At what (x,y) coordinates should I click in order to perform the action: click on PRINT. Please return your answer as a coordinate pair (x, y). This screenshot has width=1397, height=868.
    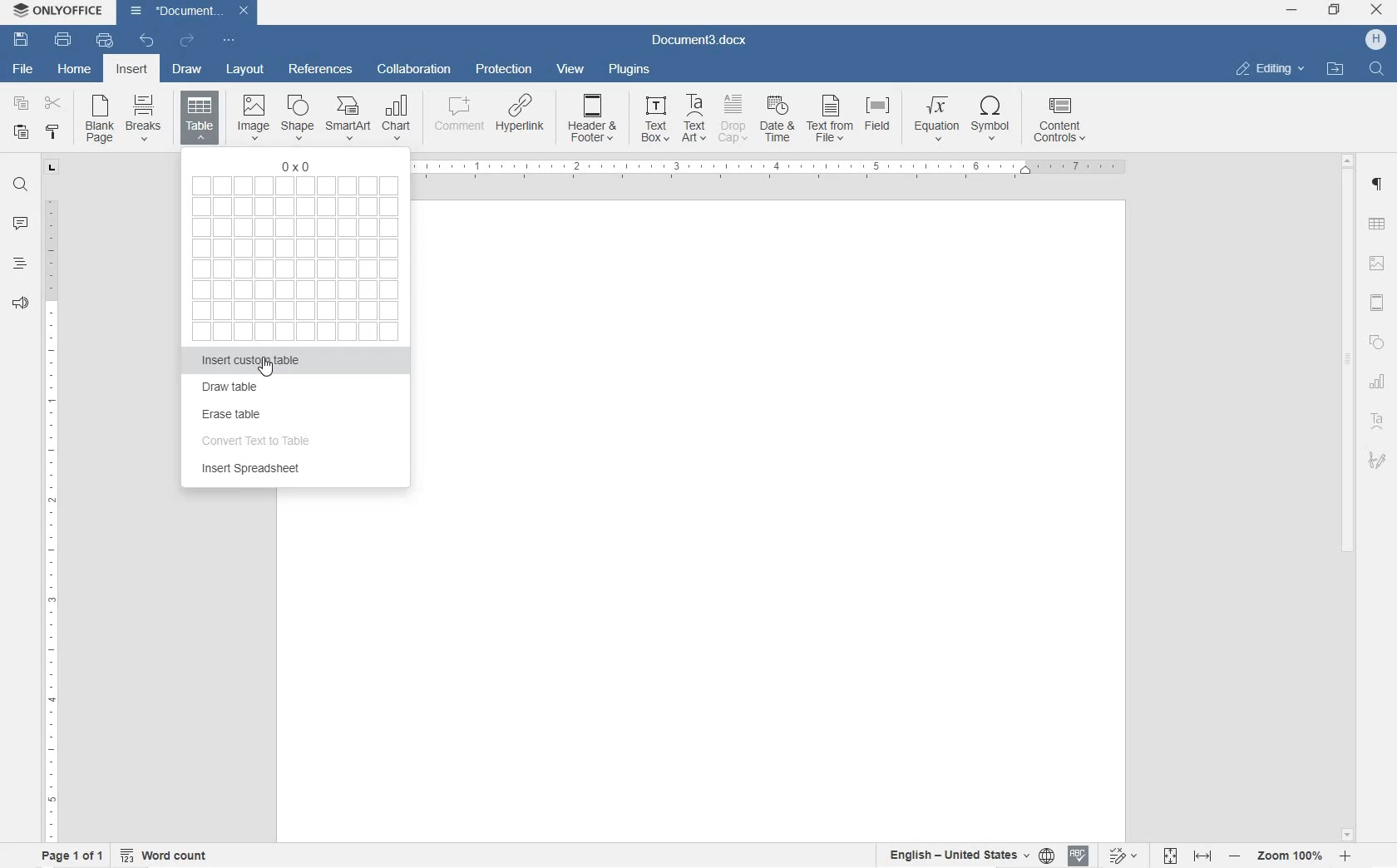
    Looking at the image, I should click on (64, 39).